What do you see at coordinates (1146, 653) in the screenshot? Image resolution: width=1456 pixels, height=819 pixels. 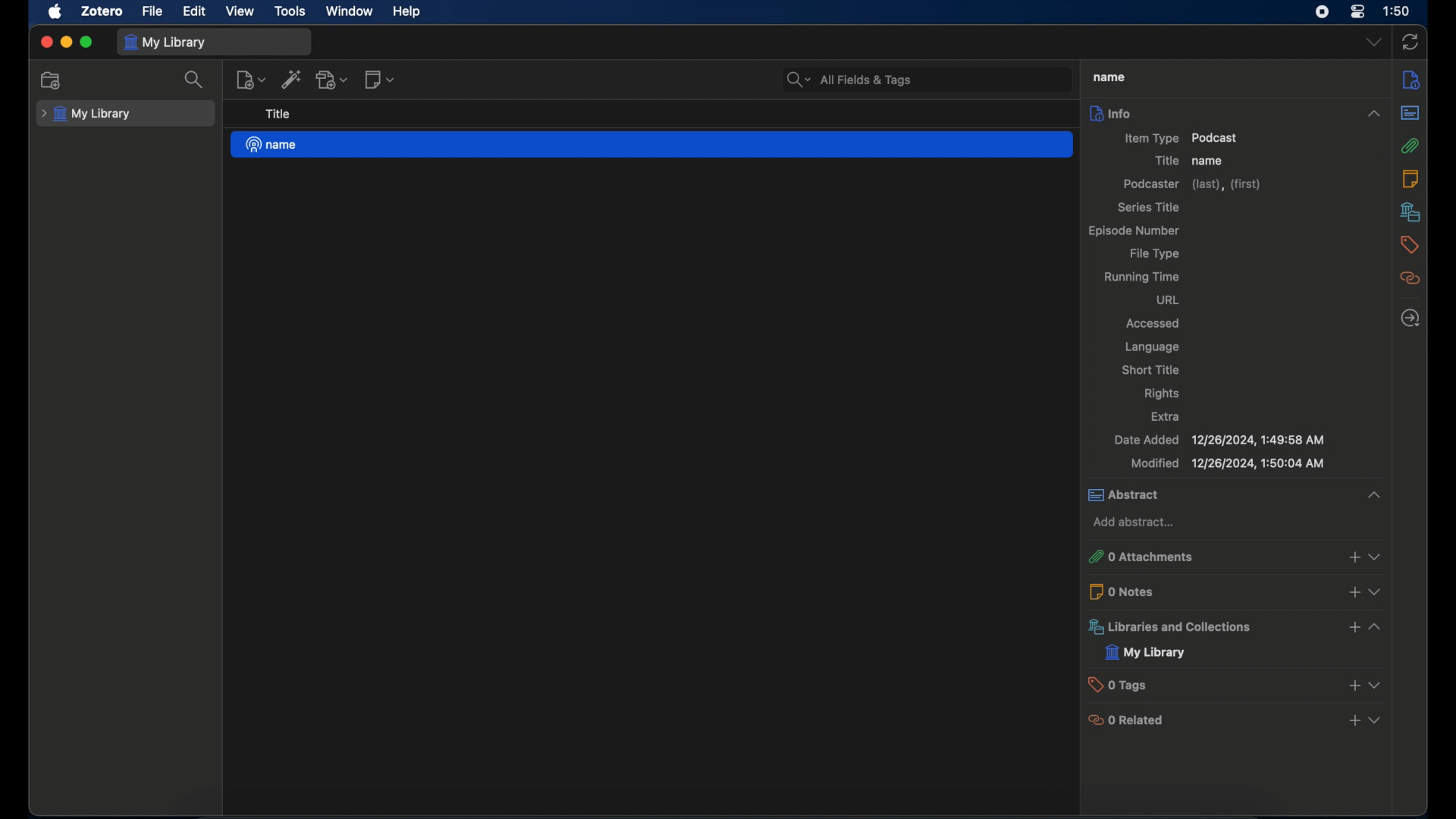 I see `my library` at bounding box center [1146, 653].